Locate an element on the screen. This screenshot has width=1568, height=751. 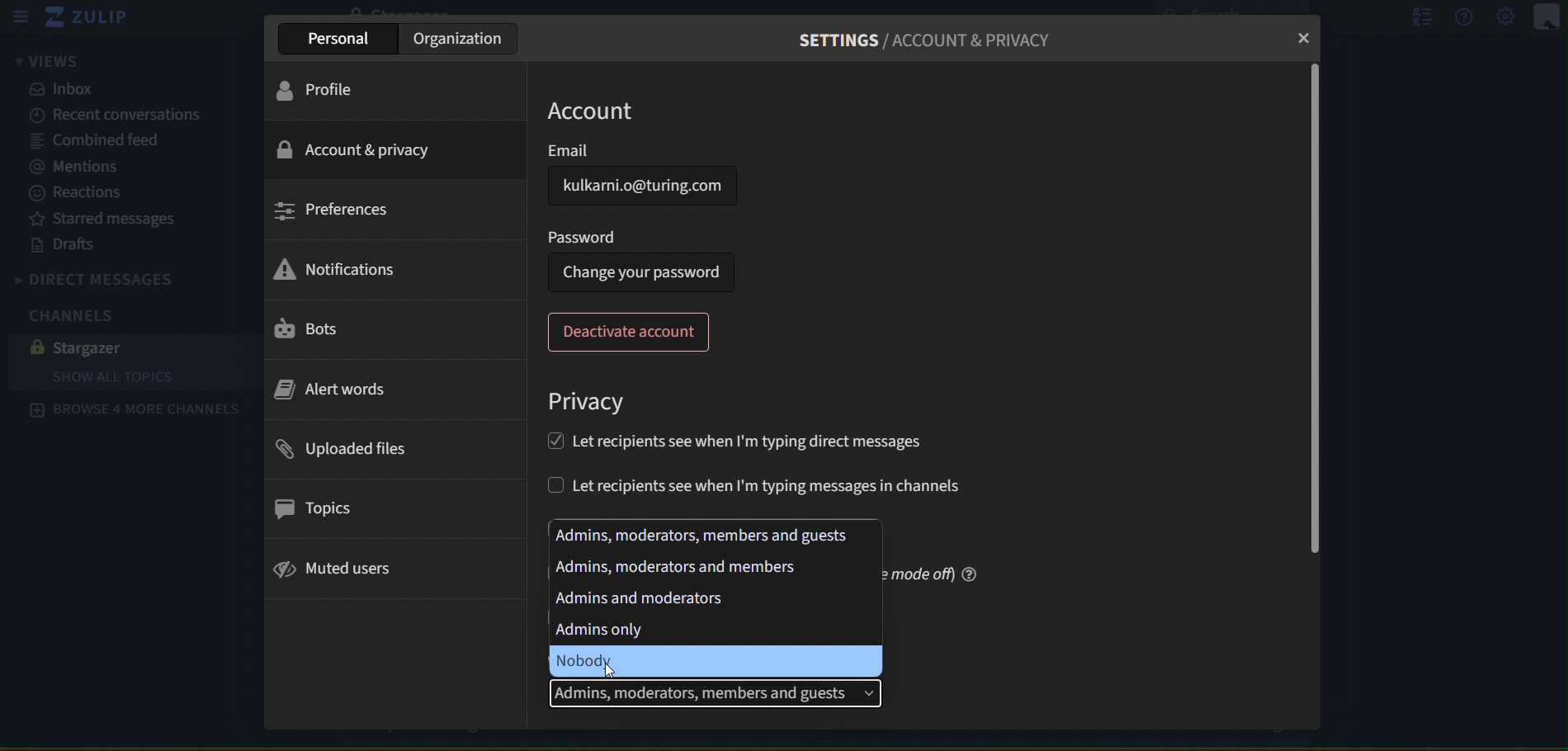
admins, moderators, members is located at coordinates (701, 567).